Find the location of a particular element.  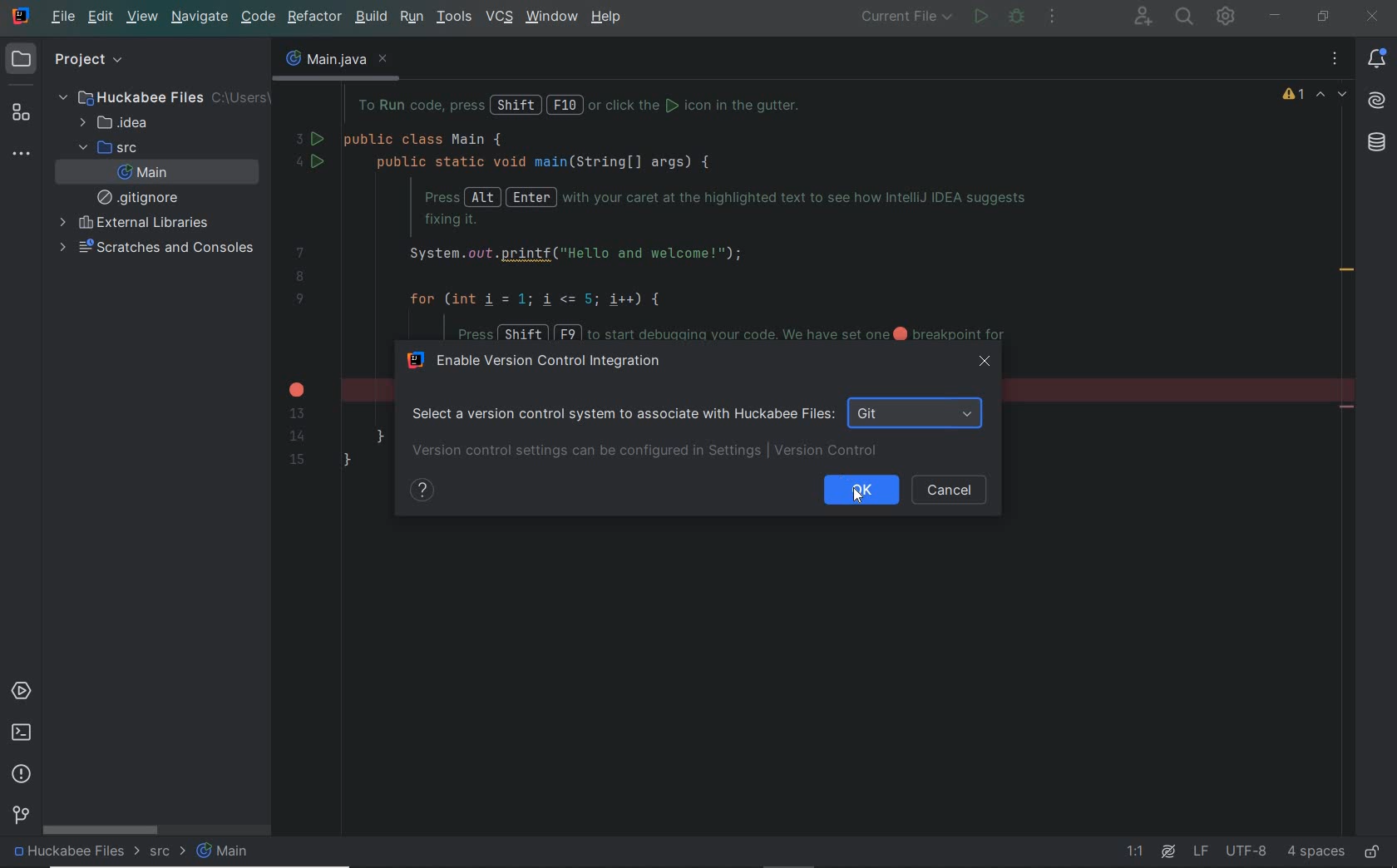

version control settings can be configured in settings is located at coordinates (651, 450).